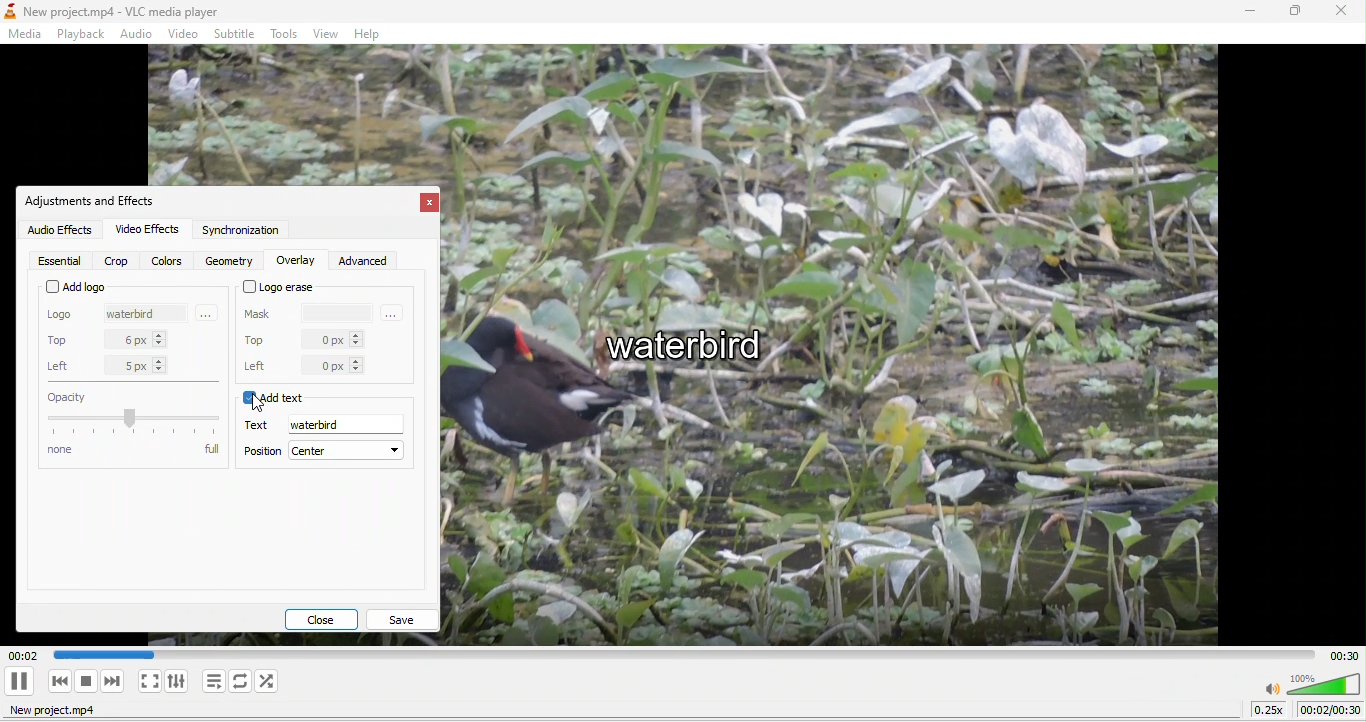  I want to click on crop, so click(119, 259).